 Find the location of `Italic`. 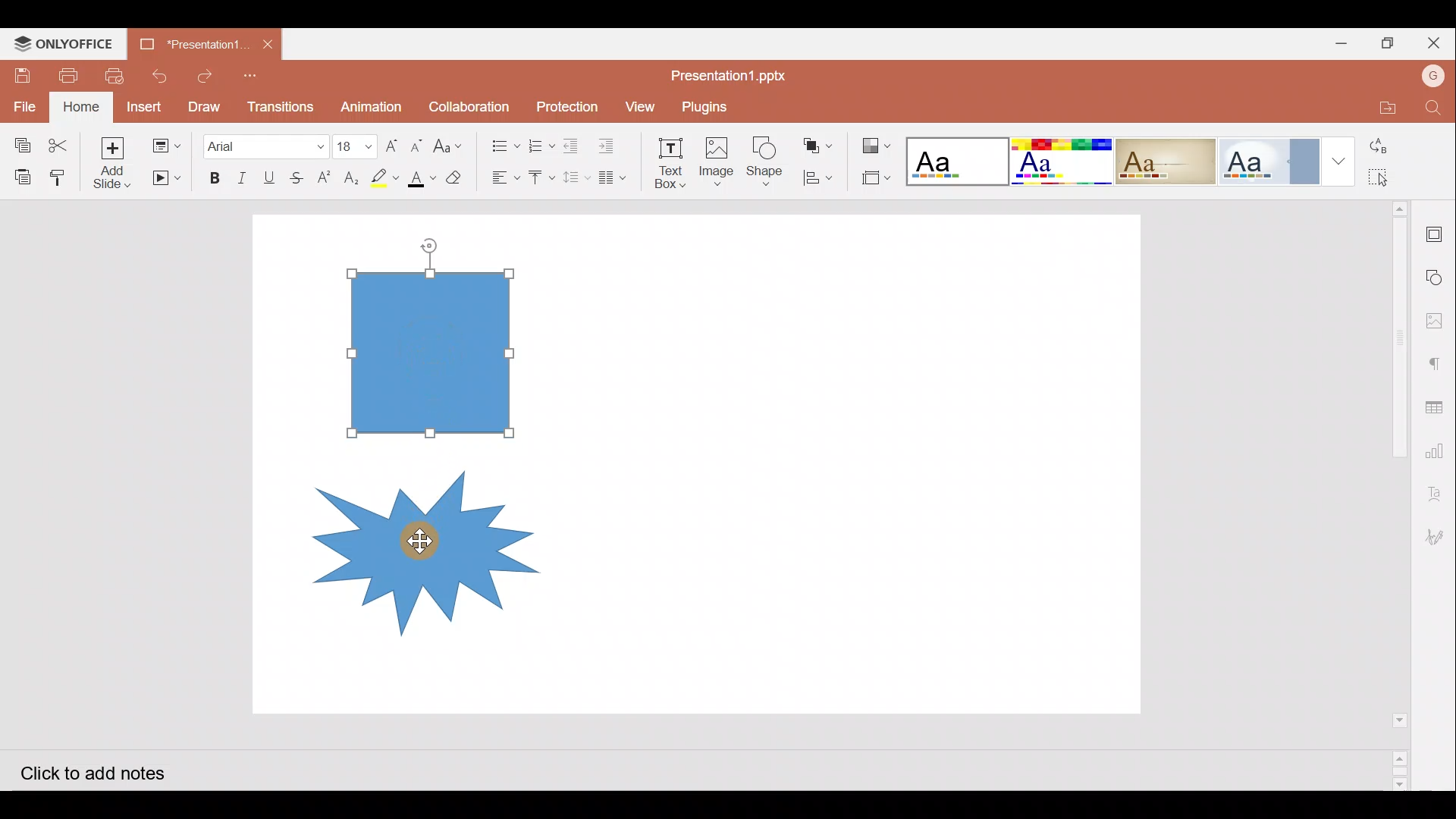

Italic is located at coordinates (242, 174).